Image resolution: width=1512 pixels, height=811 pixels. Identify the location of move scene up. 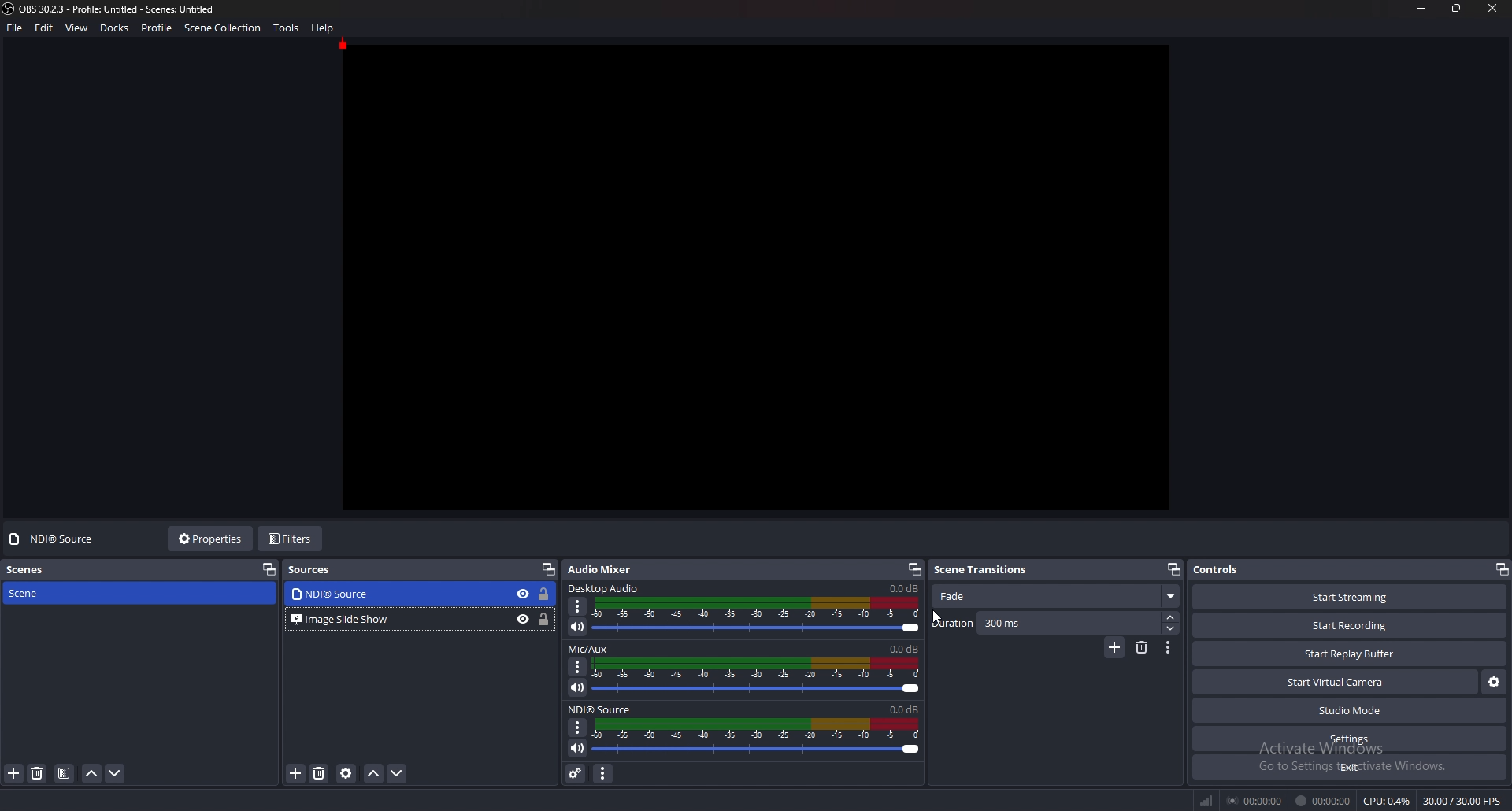
(91, 774).